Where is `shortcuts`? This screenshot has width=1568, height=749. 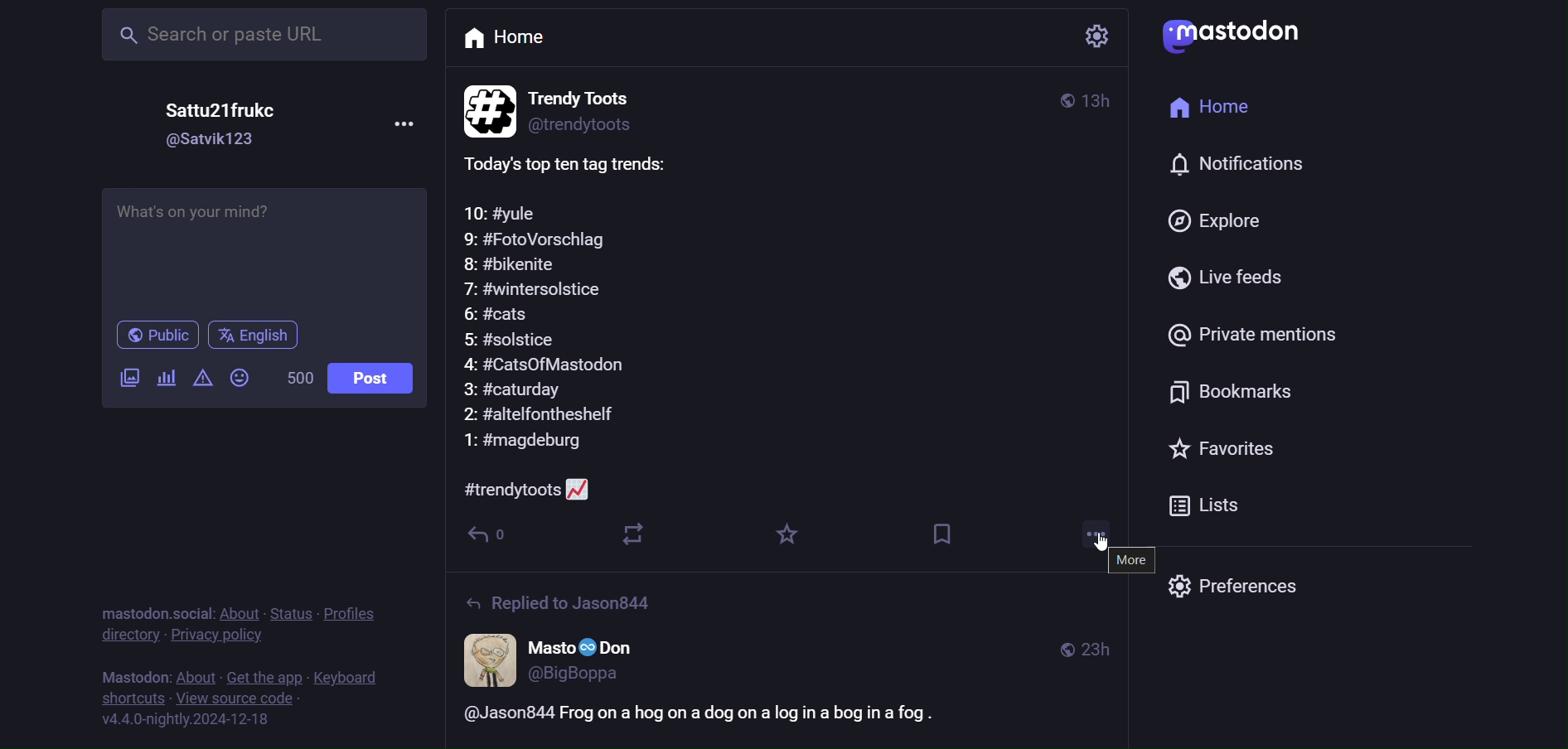 shortcuts is located at coordinates (132, 700).